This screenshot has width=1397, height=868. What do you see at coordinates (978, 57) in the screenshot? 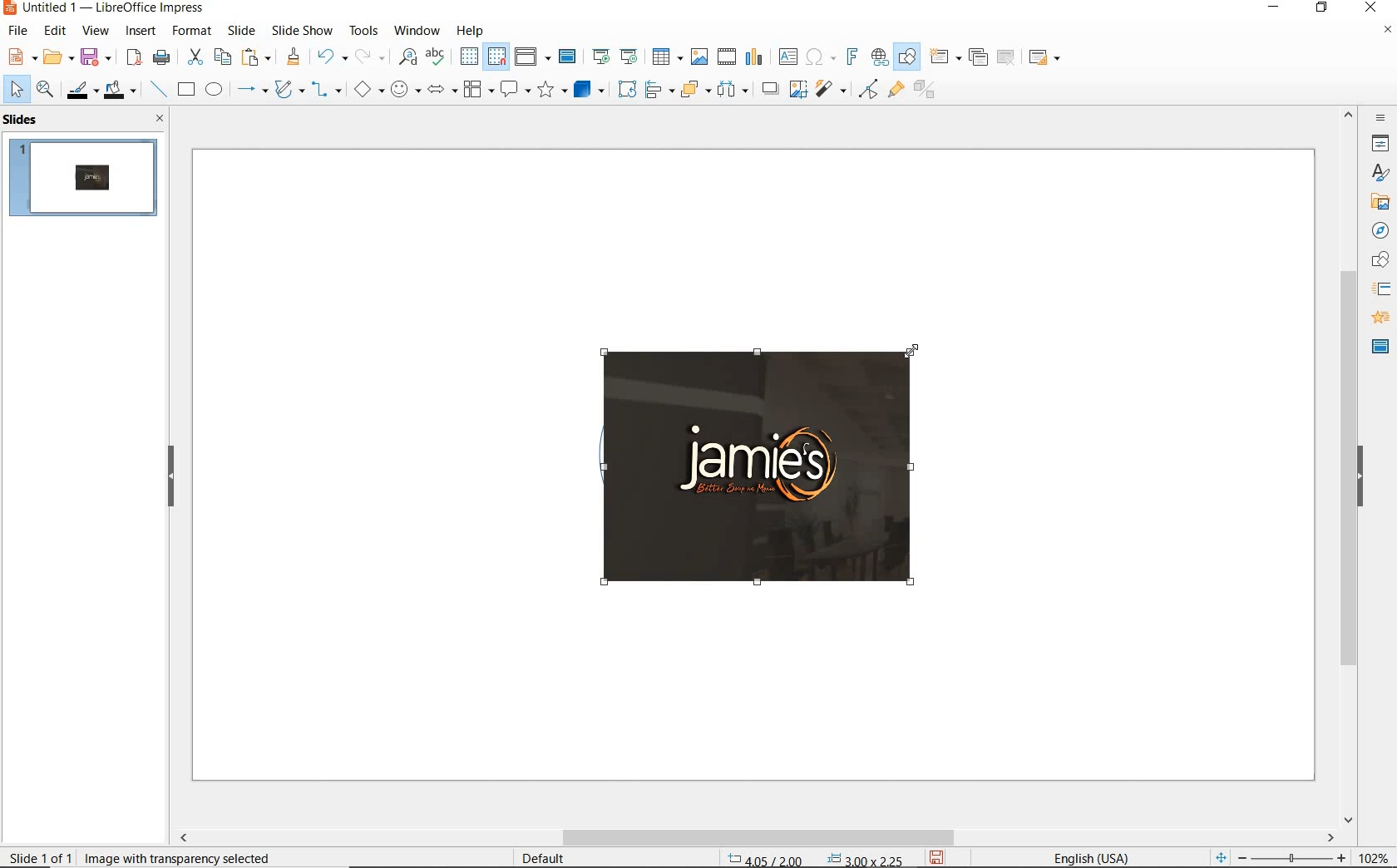
I see `duplicate slide` at bounding box center [978, 57].